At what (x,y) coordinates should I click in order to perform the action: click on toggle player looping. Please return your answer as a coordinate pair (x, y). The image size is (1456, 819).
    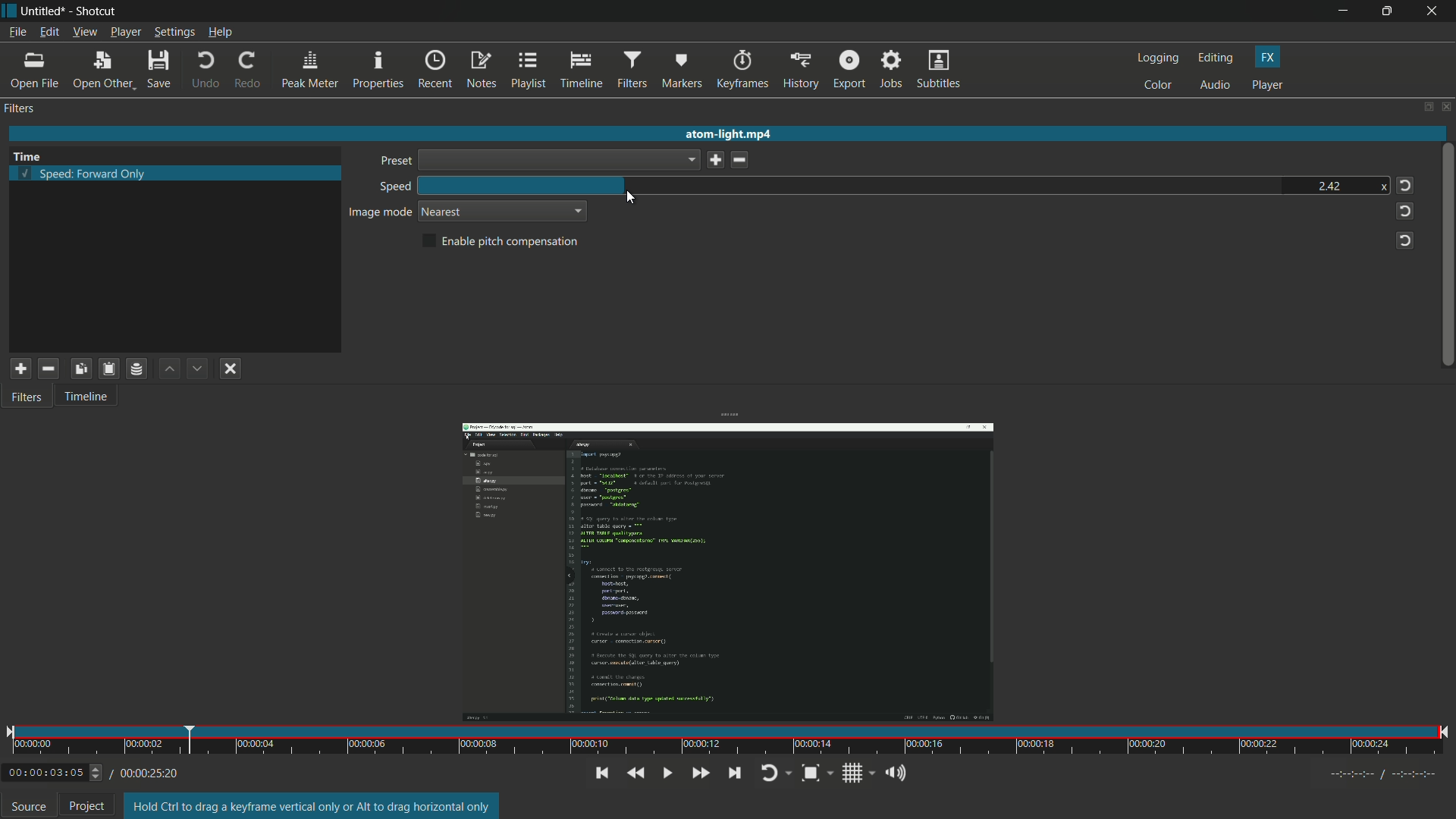
    Looking at the image, I should click on (776, 773).